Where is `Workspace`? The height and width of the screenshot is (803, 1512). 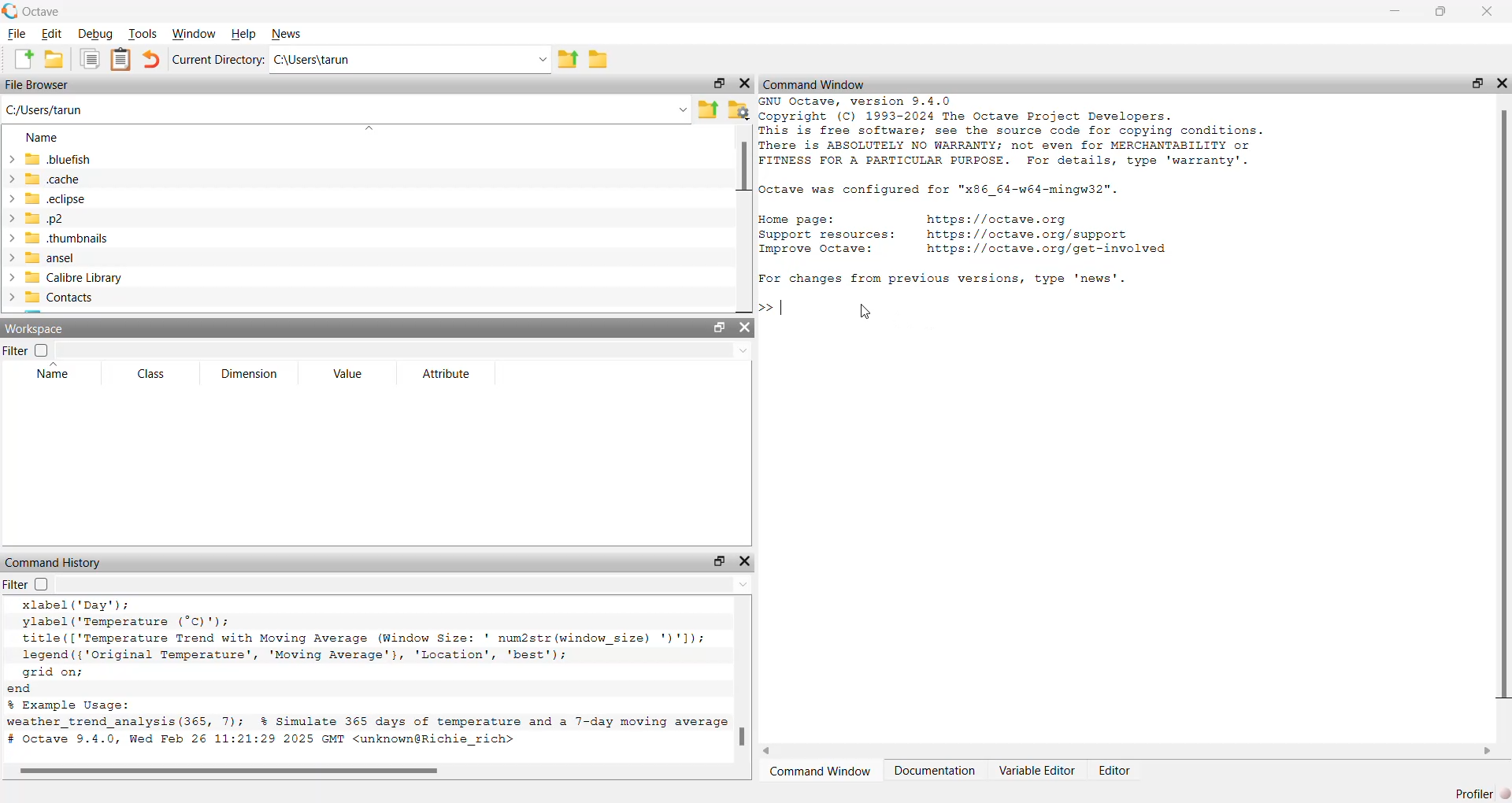 Workspace is located at coordinates (45, 328).